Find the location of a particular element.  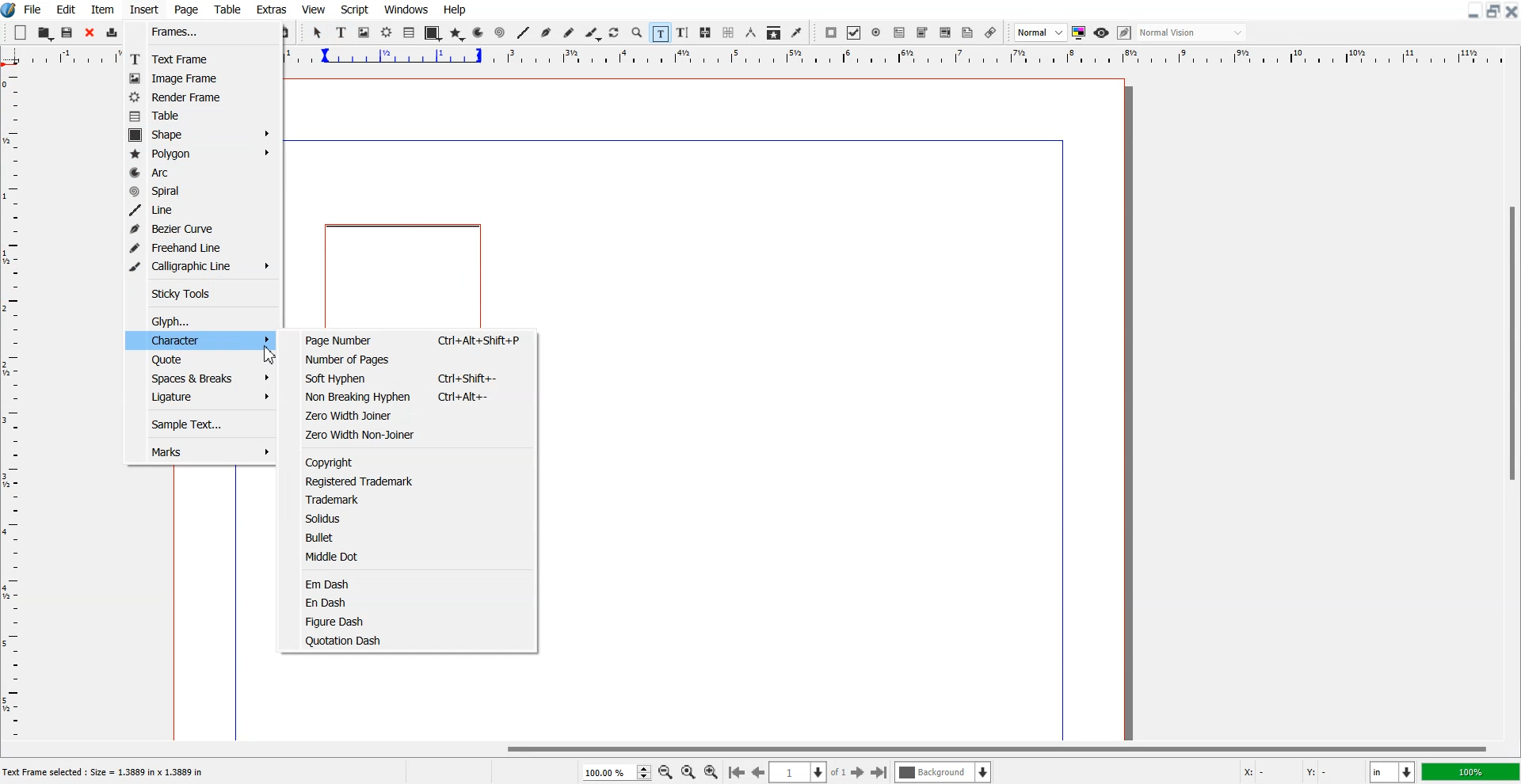

Vertical scale is located at coordinates (11, 405).